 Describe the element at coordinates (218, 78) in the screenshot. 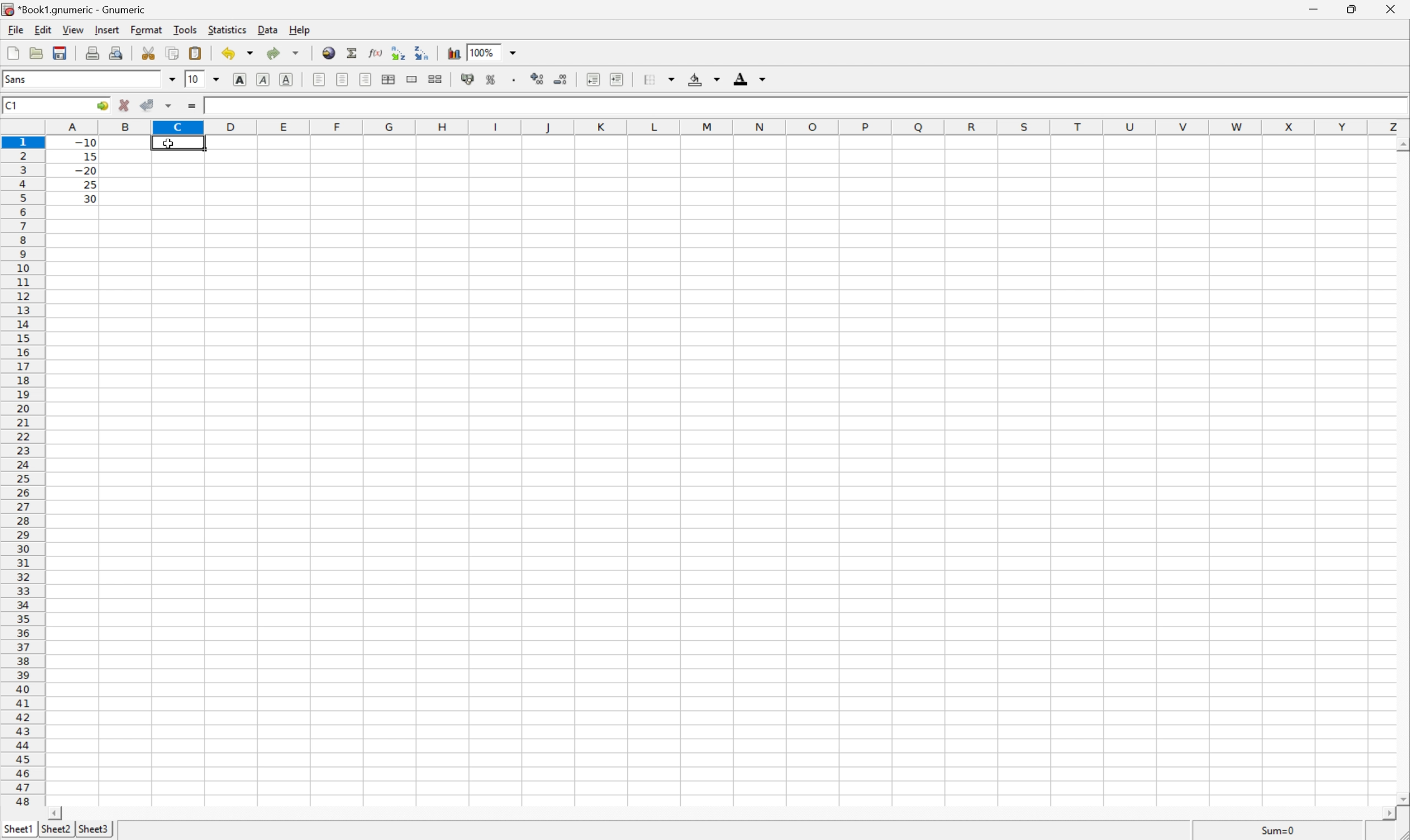

I see `Drop Down` at that location.